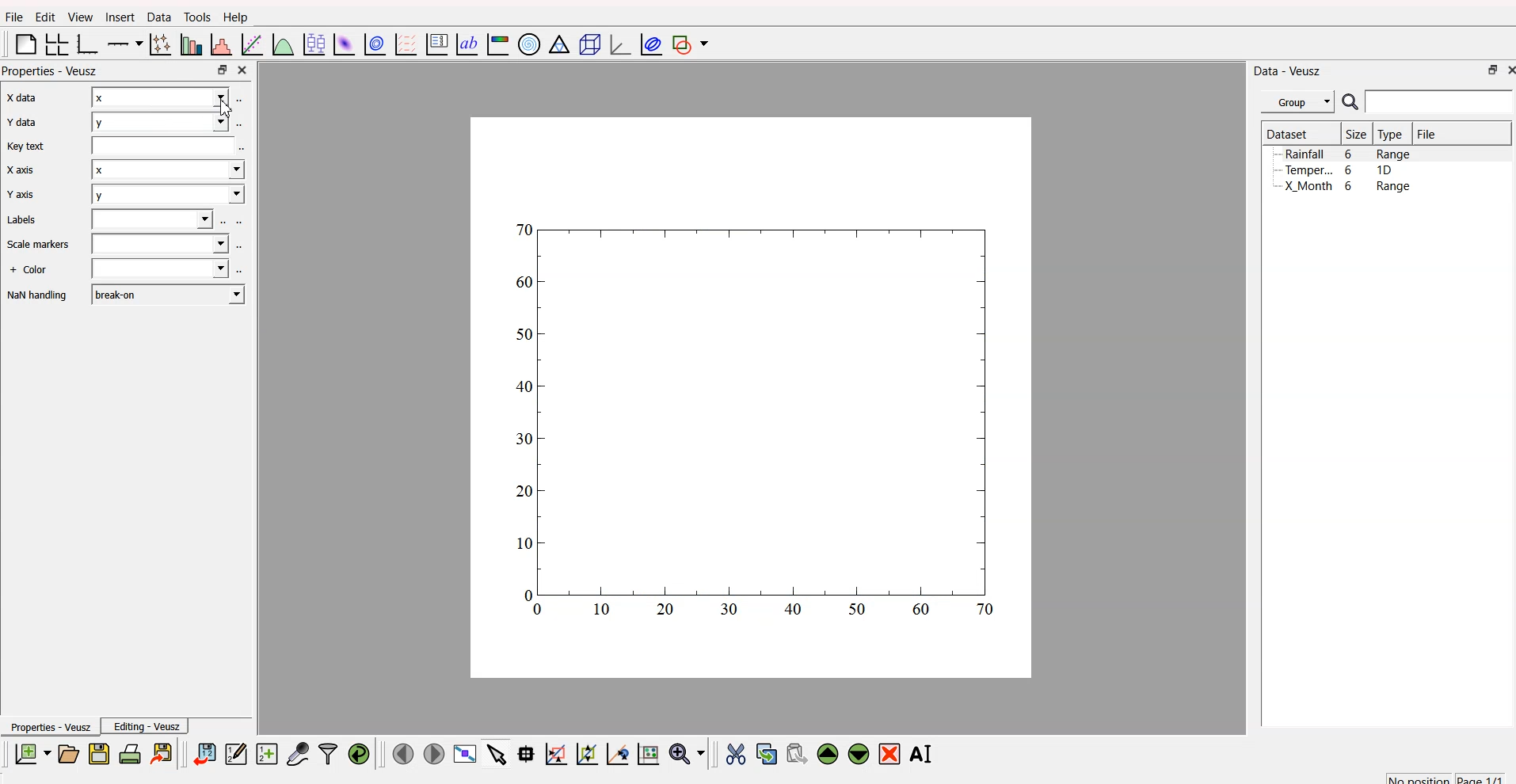 The image size is (1516, 784). I want to click on editor, so click(236, 752).